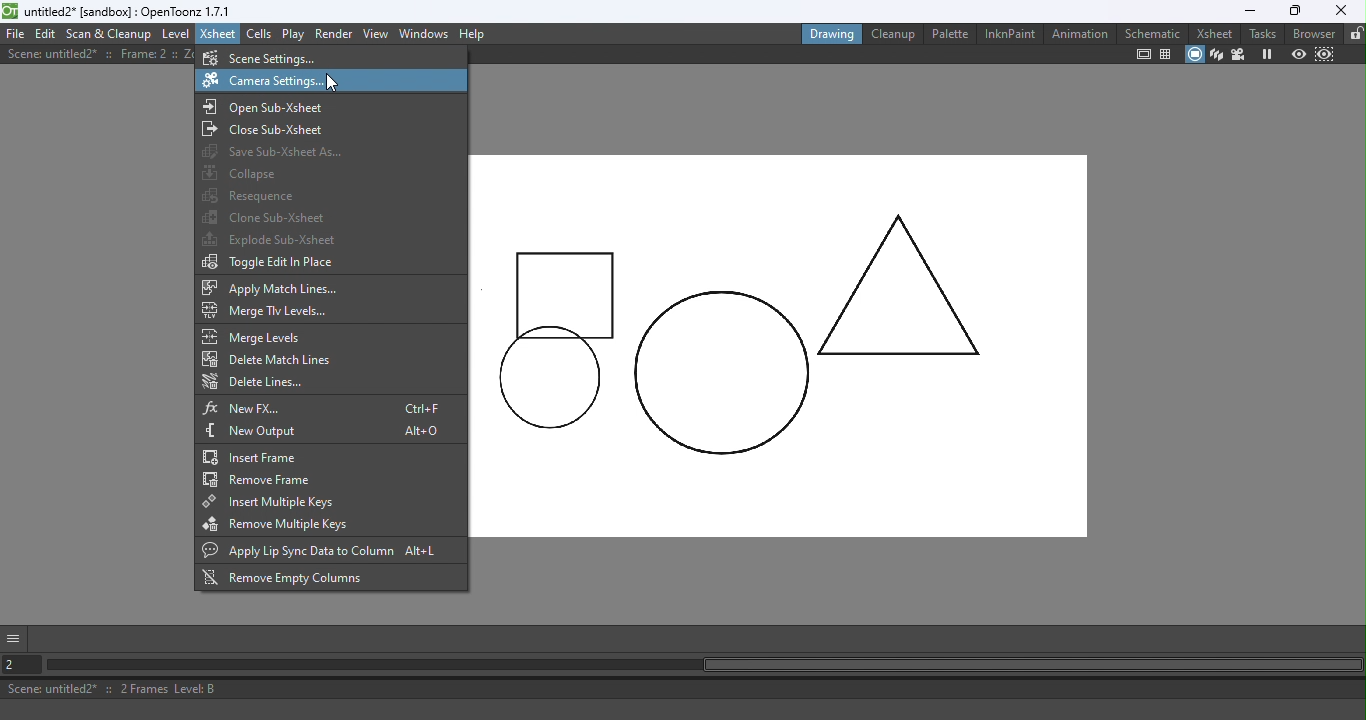 This screenshot has width=1366, height=720. I want to click on Render, so click(335, 35).